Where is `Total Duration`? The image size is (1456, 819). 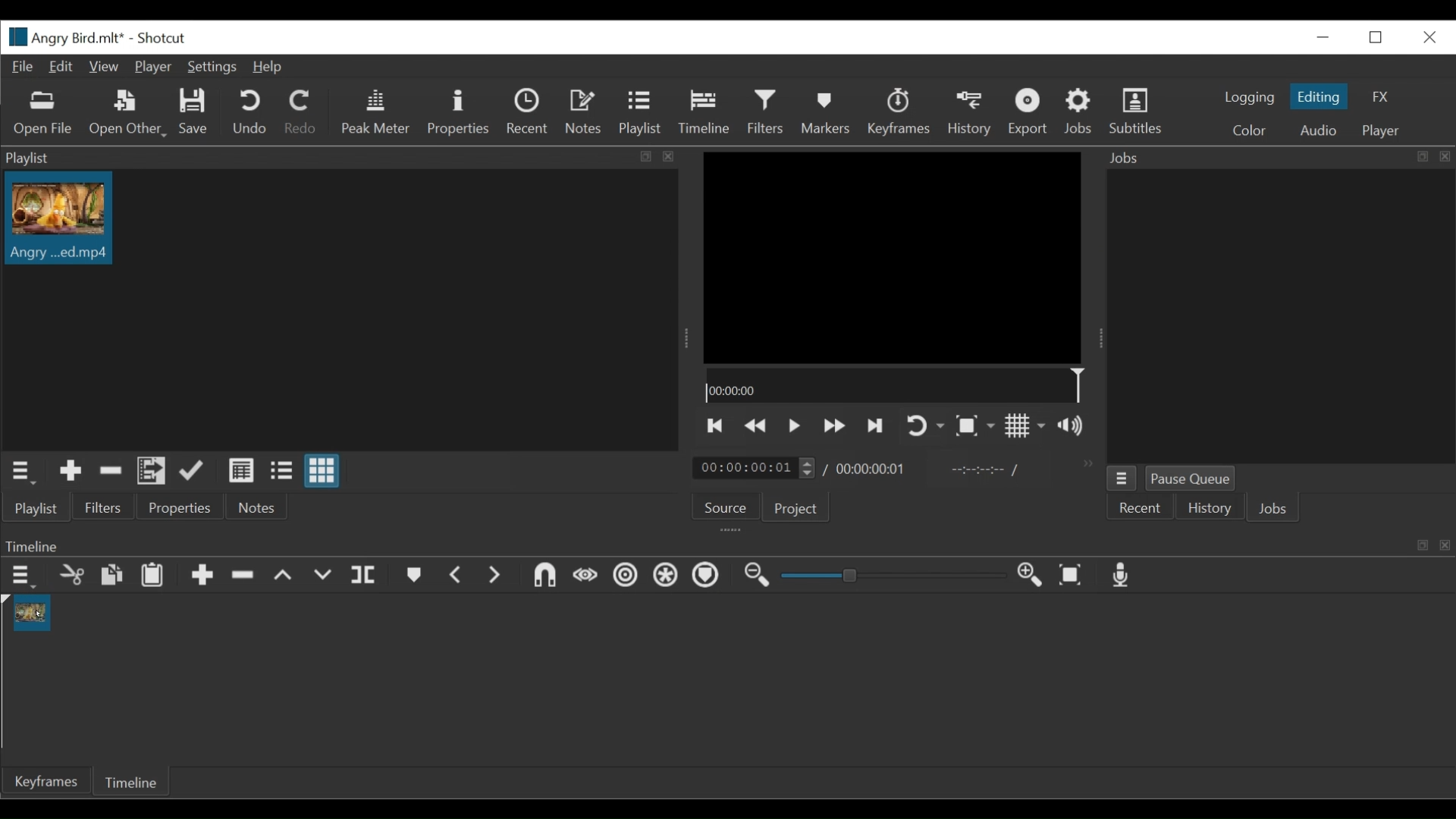 Total Duration is located at coordinates (873, 469).